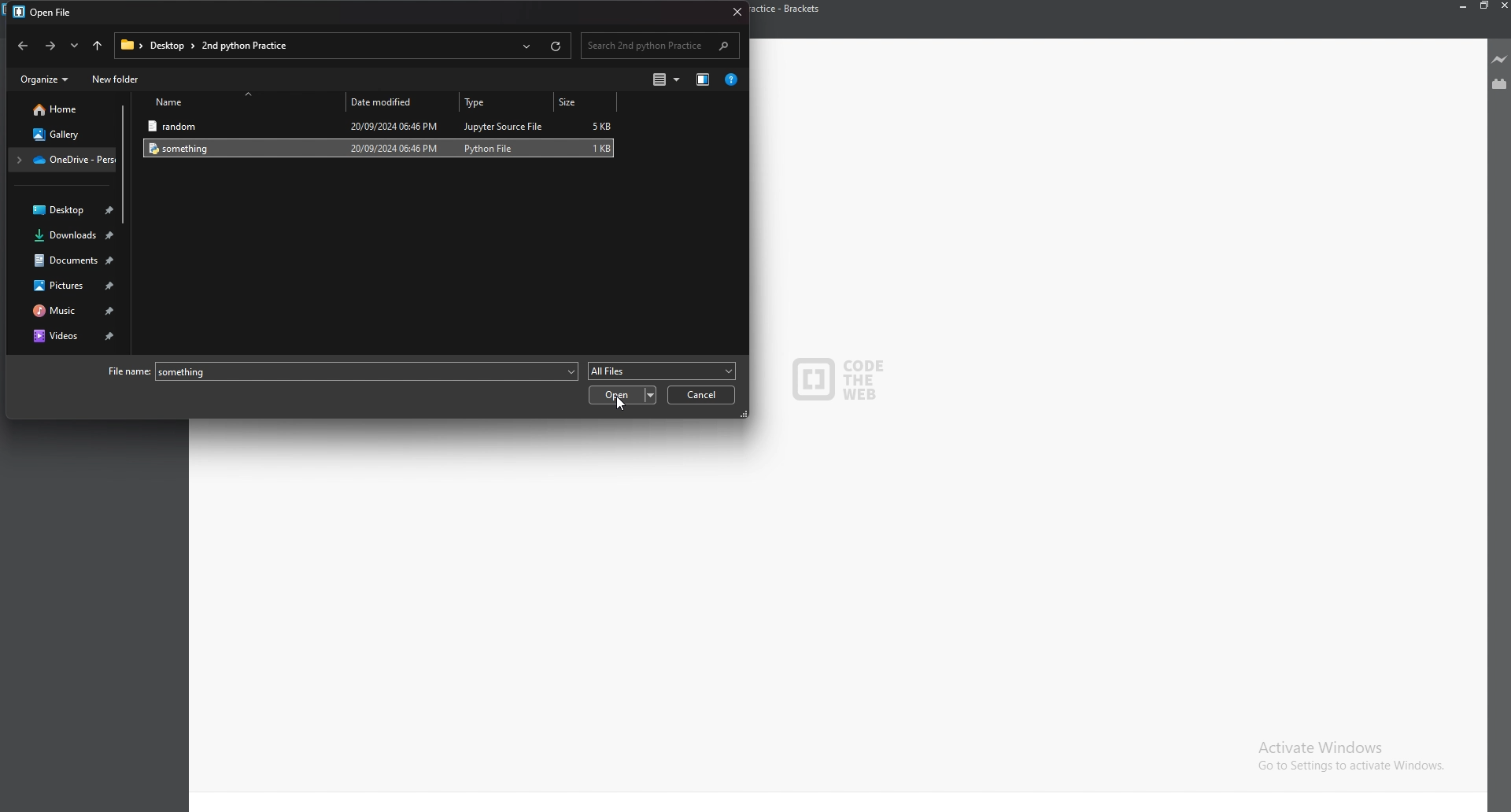 Image resolution: width=1511 pixels, height=812 pixels. What do you see at coordinates (128, 46) in the screenshot?
I see `folder` at bounding box center [128, 46].